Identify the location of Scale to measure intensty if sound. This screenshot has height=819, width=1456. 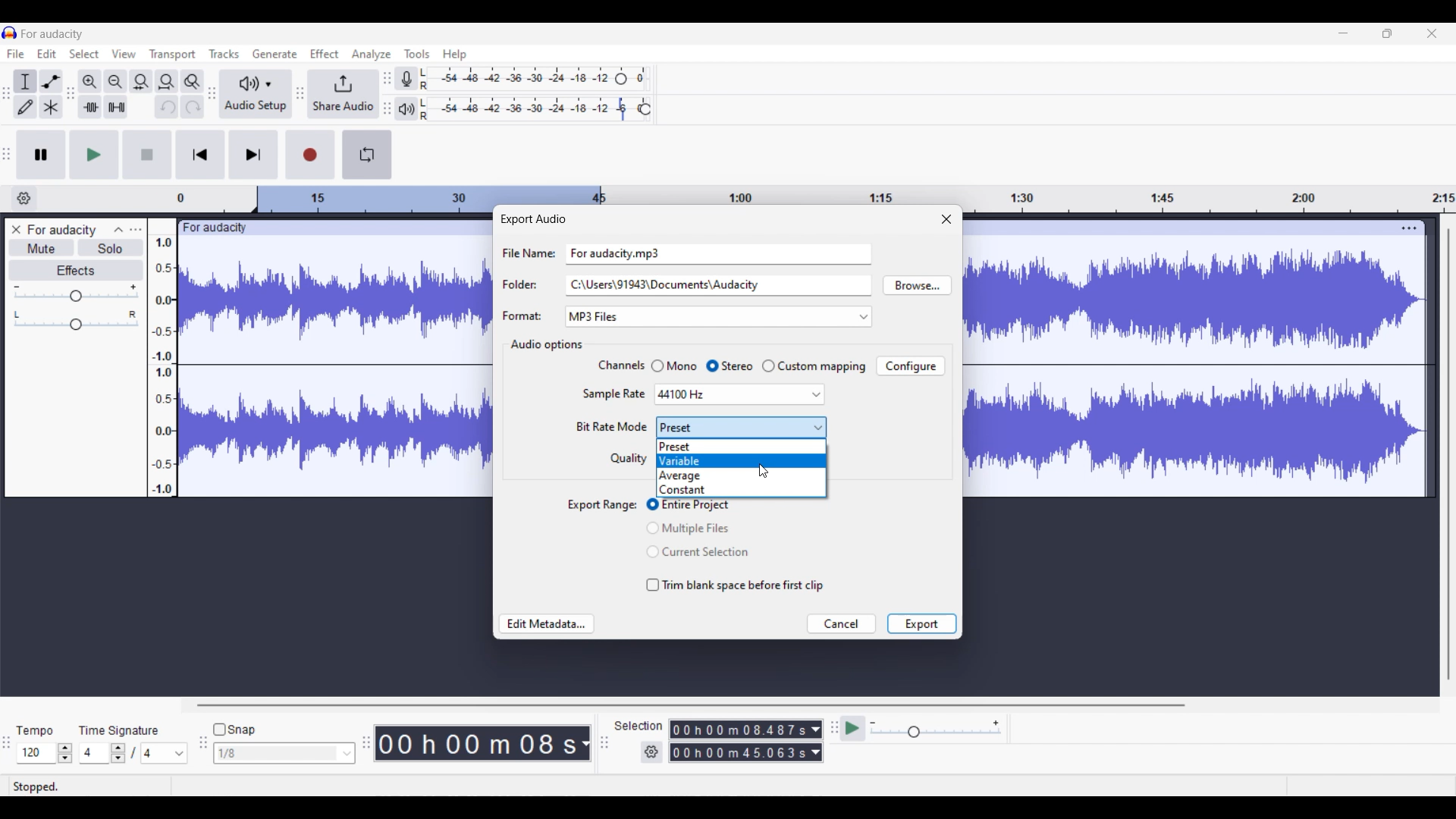
(162, 366).